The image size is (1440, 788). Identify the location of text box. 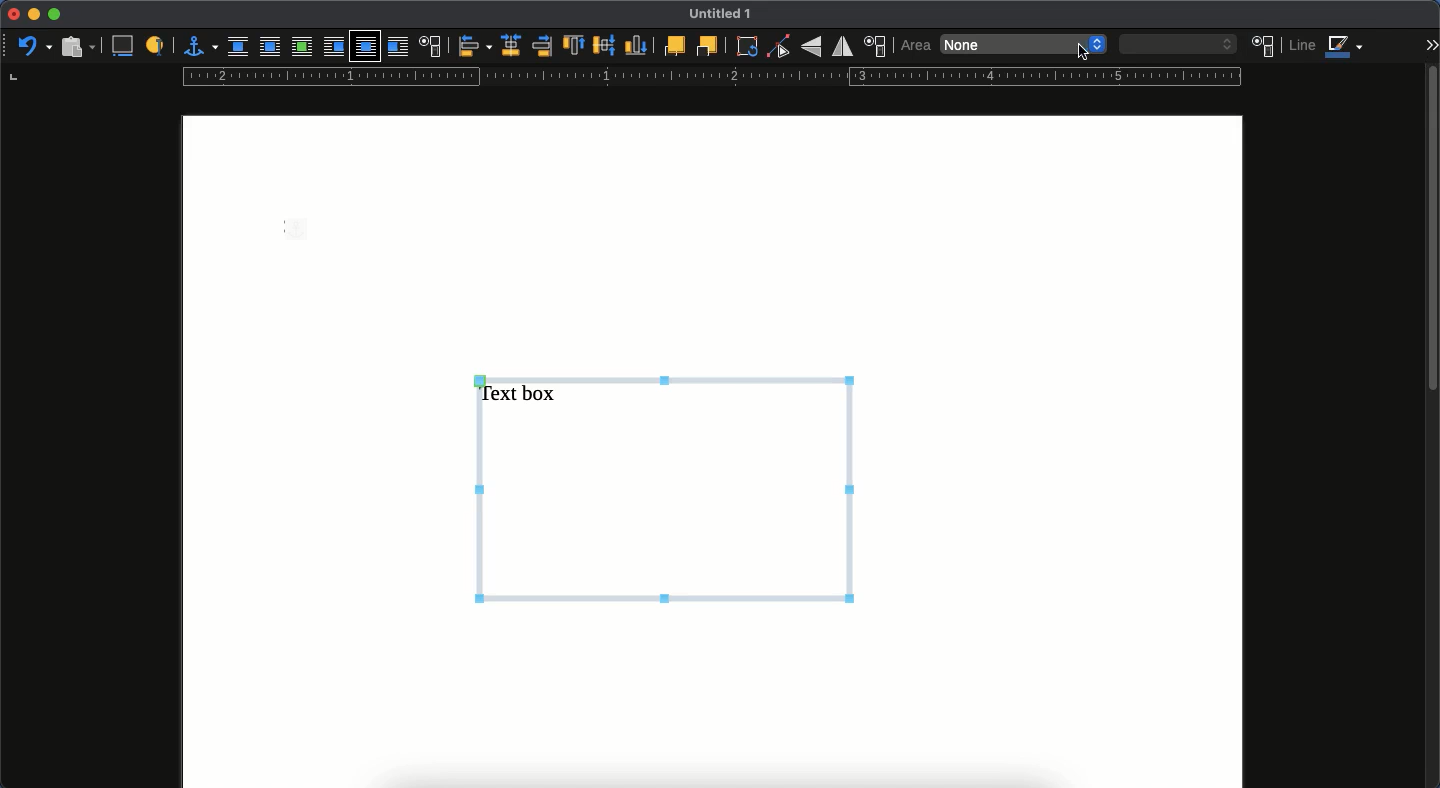
(667, 486).